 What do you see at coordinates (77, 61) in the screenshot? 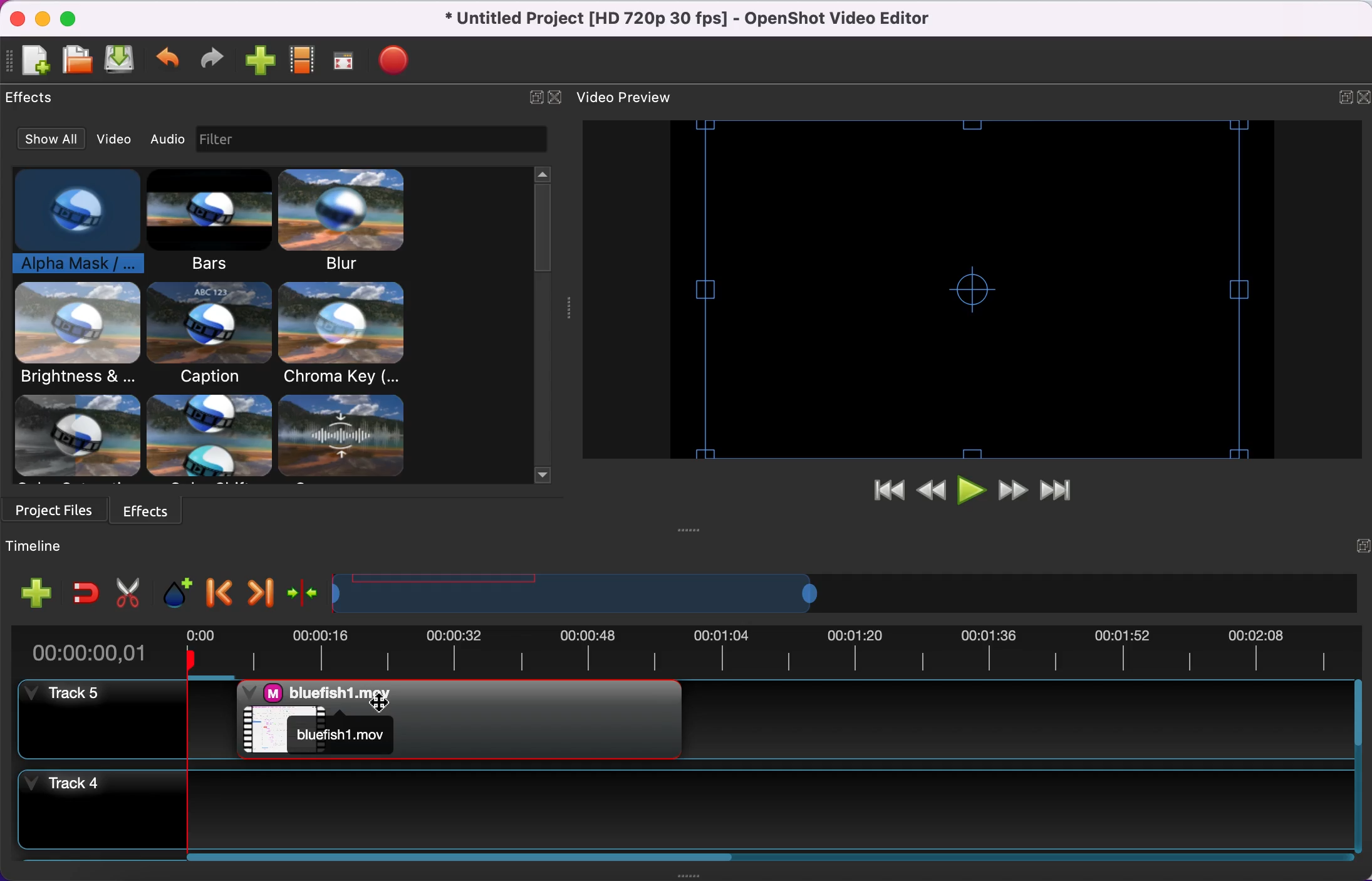
I see `open file` at bounding box center [77, 61].